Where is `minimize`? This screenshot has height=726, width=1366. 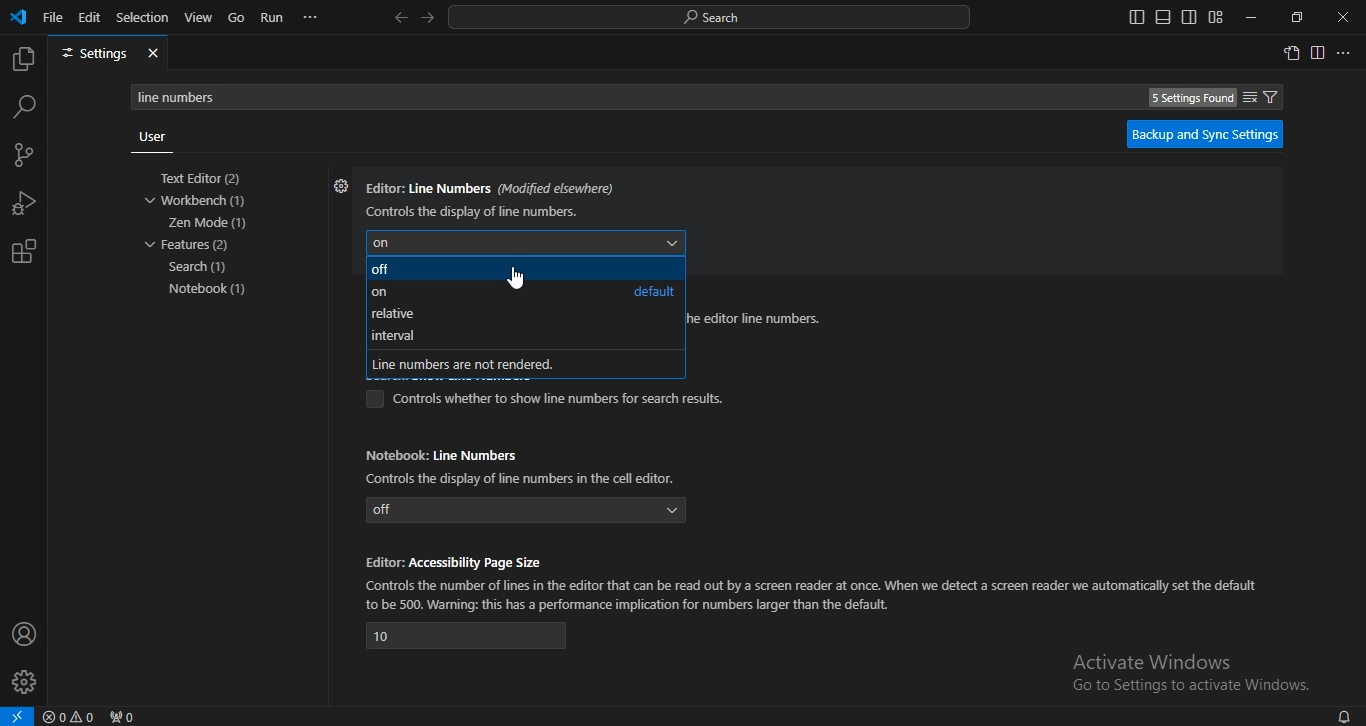
minimize is located at coordinates (1248, 18).